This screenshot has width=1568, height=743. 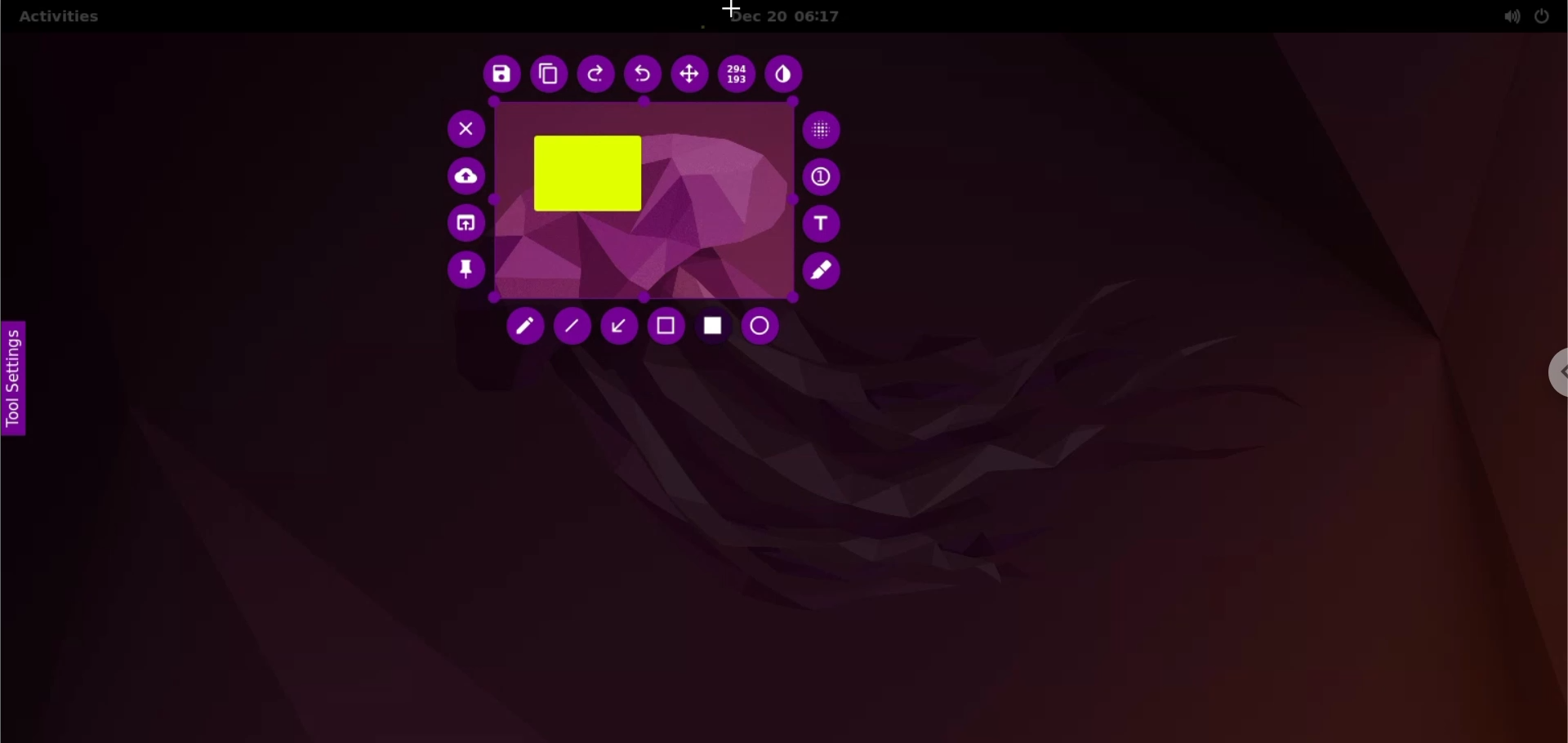 What do you see at coordinates (461, 128) in the screenshot?
I see `cancel capture` at bounding box center [461, 128].